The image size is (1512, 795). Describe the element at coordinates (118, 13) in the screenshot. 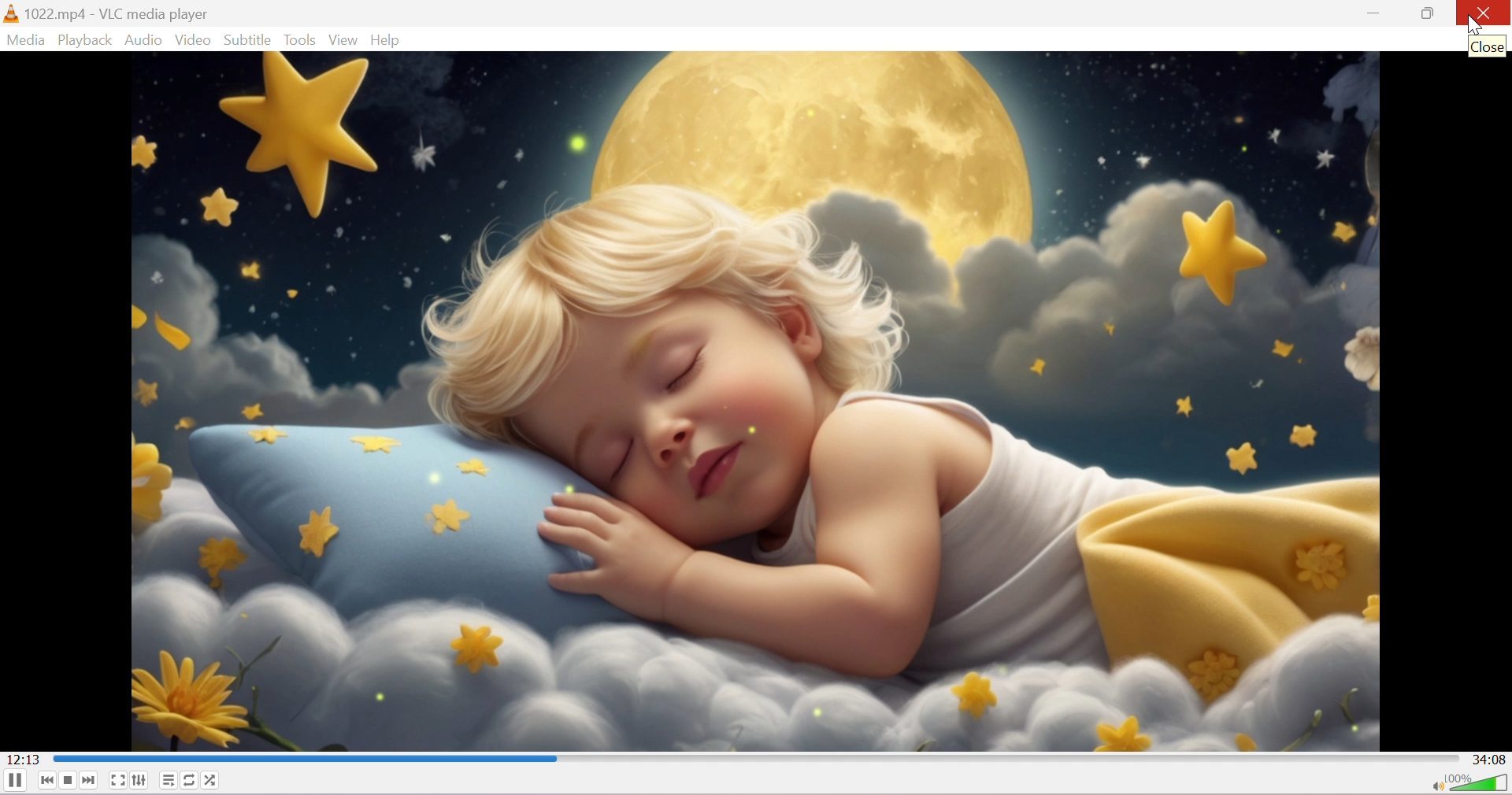

I see `1022.mp4 - VLC media player` at that location.